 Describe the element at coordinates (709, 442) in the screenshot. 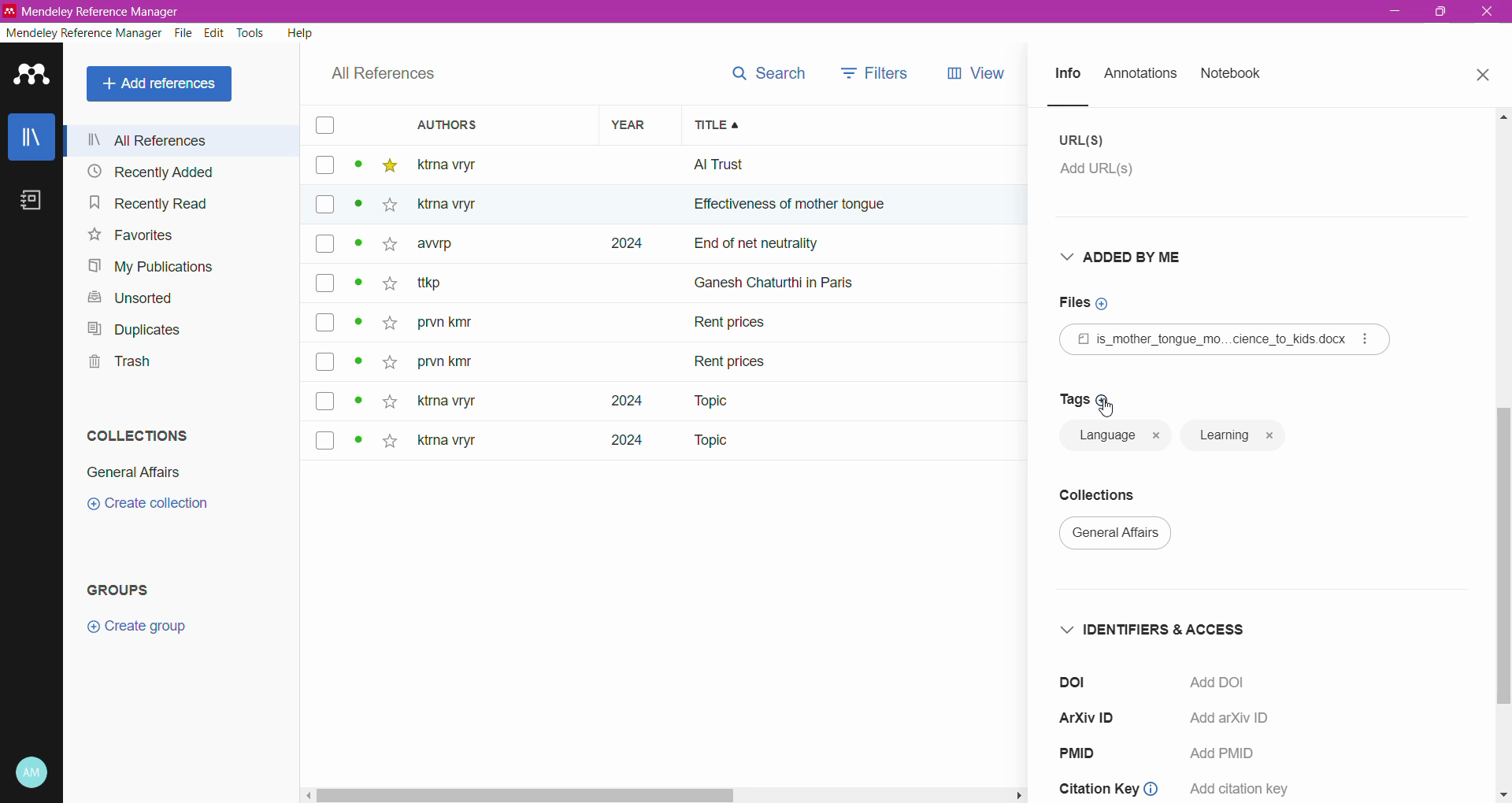

I see `Topic` at that location.